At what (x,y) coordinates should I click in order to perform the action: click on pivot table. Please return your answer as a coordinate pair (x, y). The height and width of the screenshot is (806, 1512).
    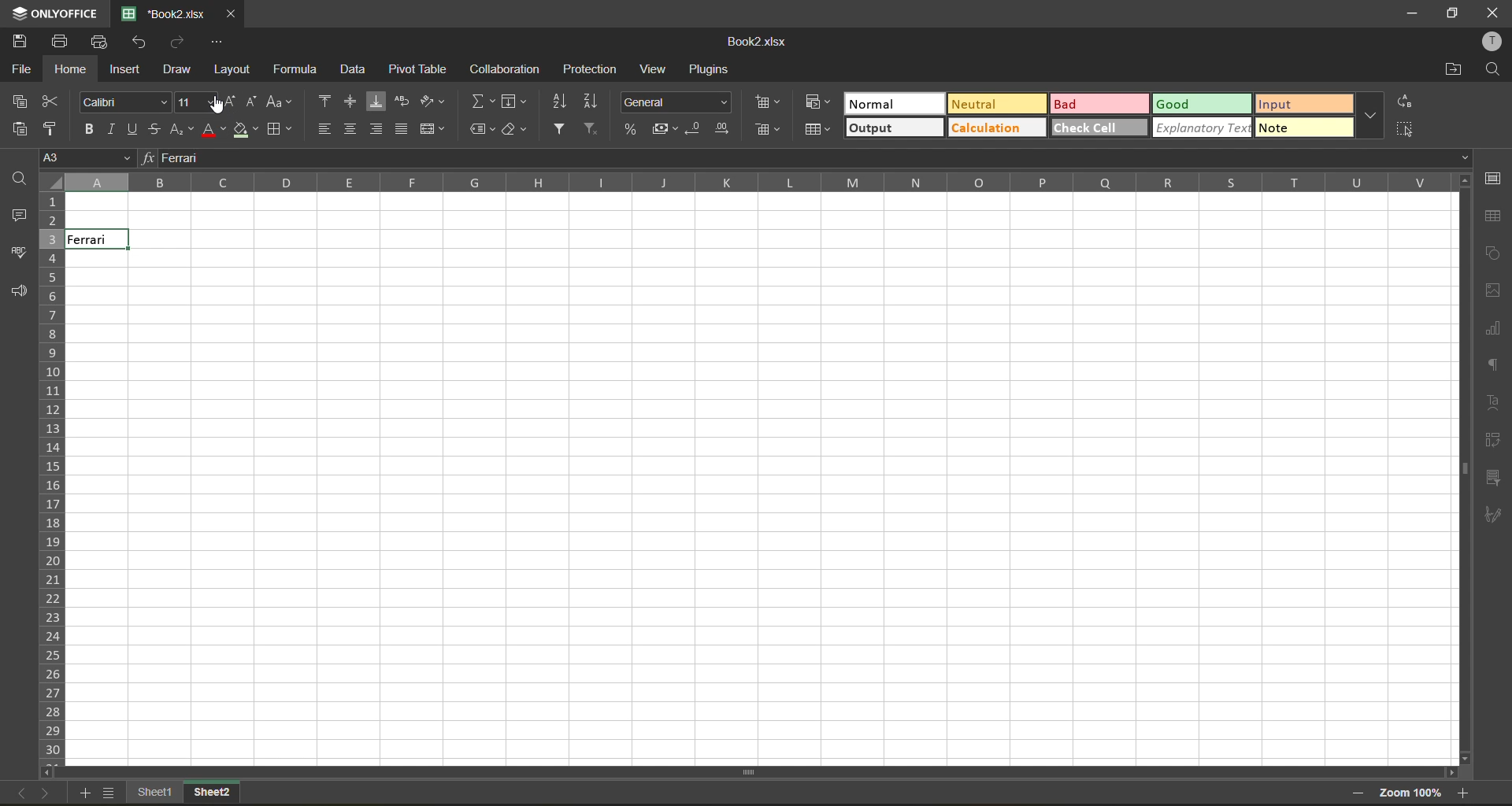
    Looking at the image, I should click on (417, 70).